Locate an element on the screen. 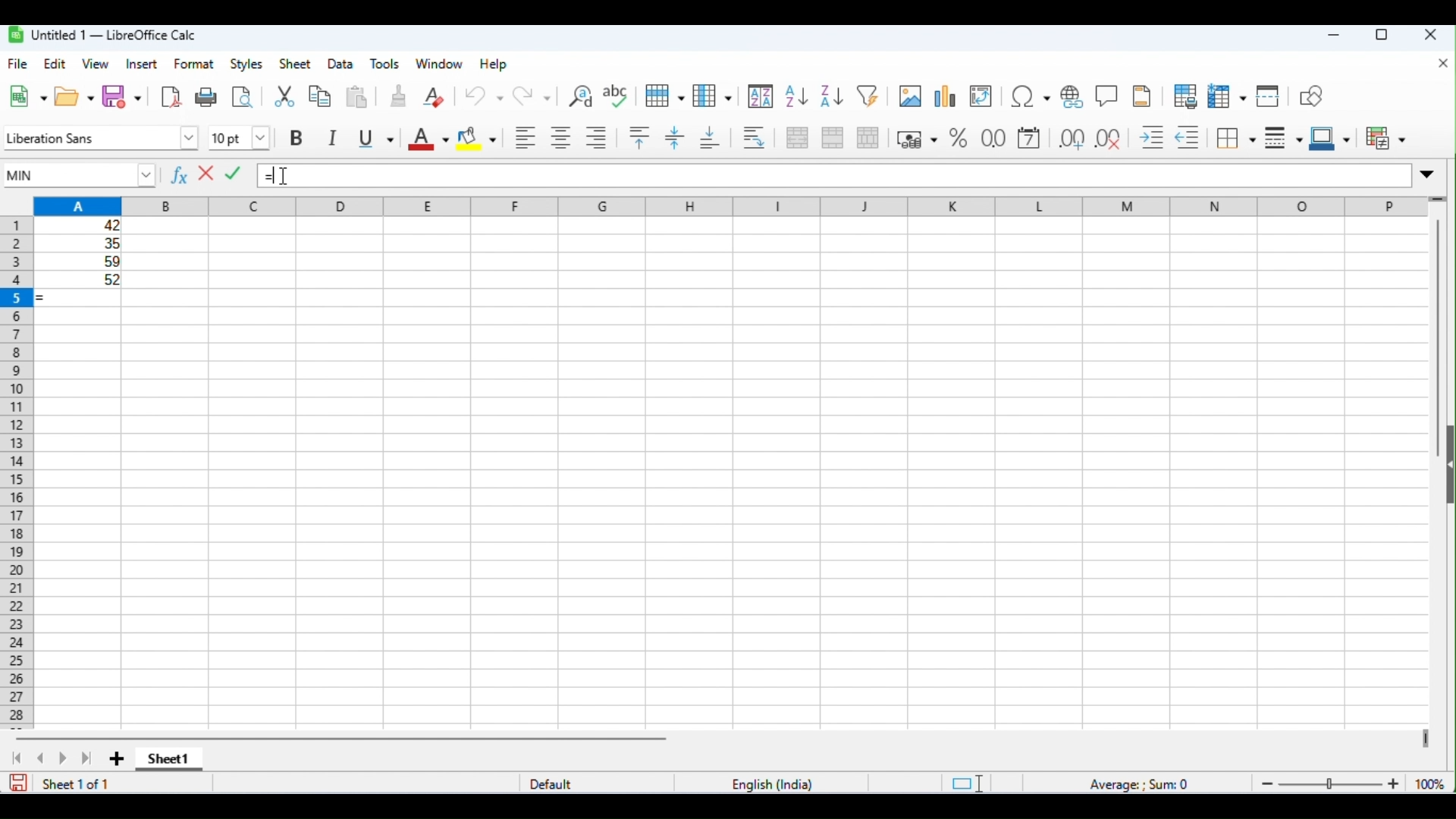 The height and width of the screenshot is (819, 1456). expand is located at coordinates (1429, 173).